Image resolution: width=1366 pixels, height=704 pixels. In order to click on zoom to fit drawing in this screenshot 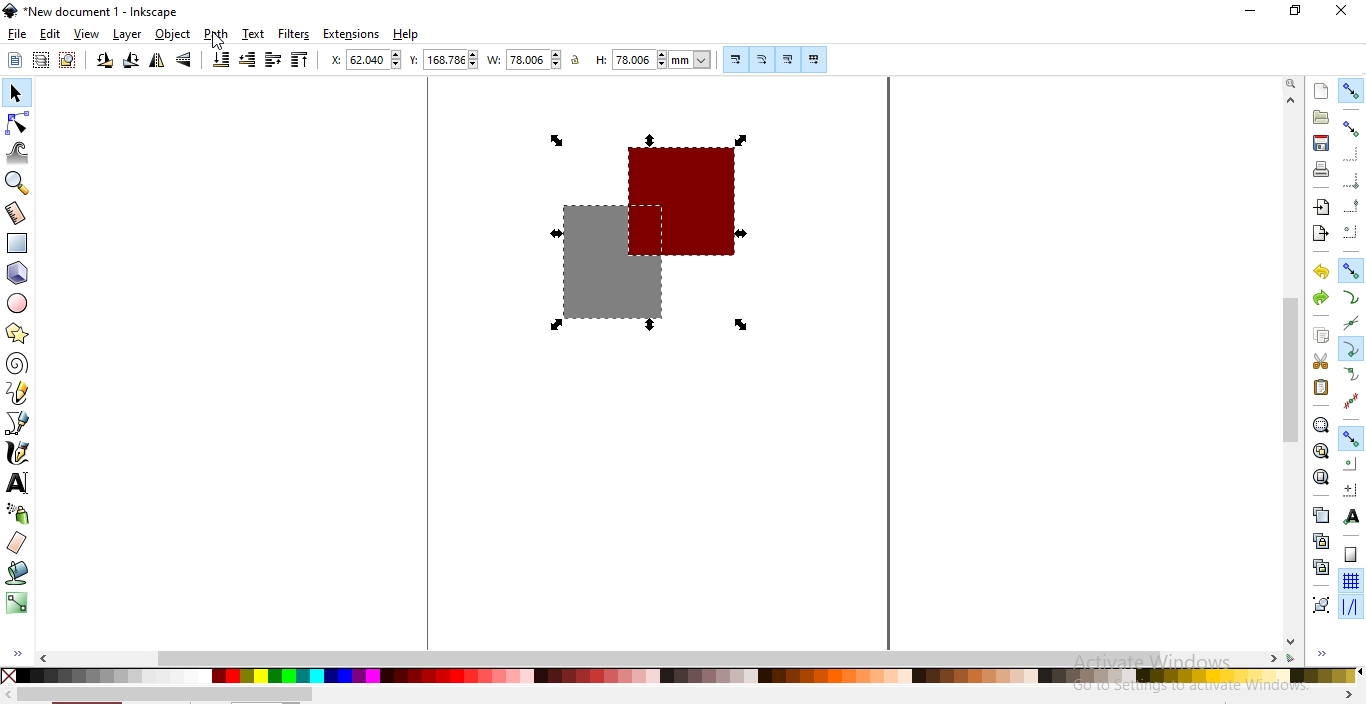, I will do `click(1320, 450)`.